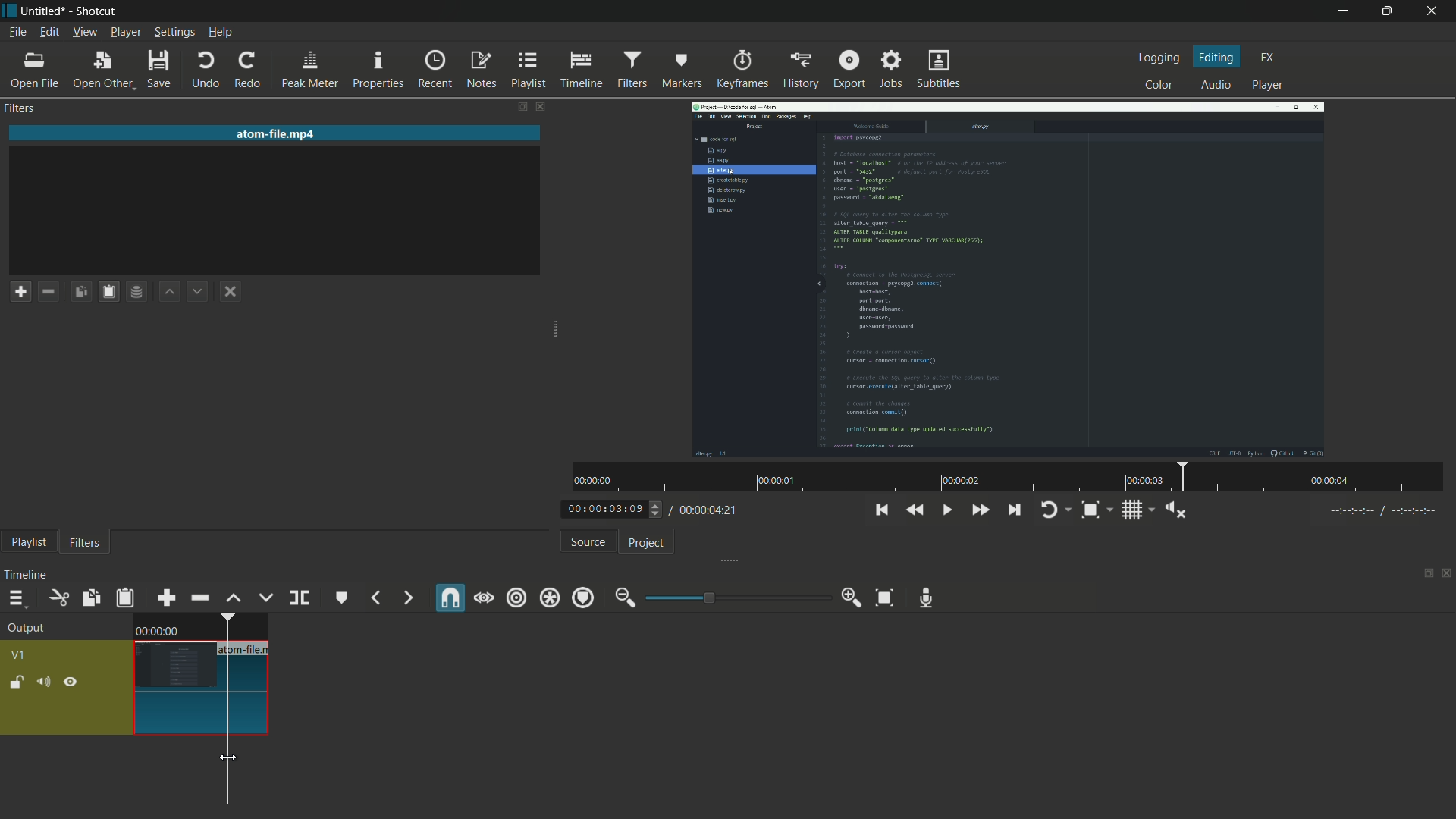 The image size is (1456, 819). I want to click on redo, so click(248, 71).